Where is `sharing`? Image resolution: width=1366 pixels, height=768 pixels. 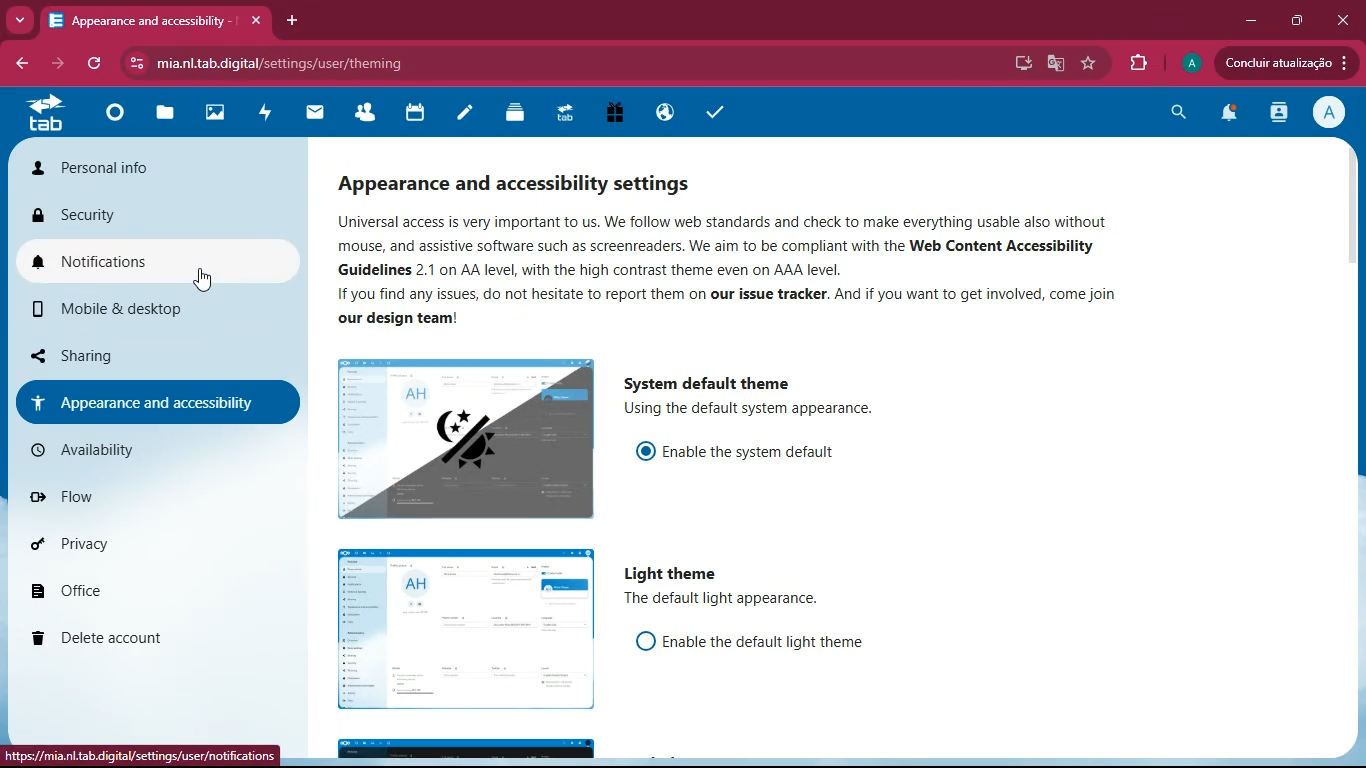 sharing is located at coordinates (150, 356).